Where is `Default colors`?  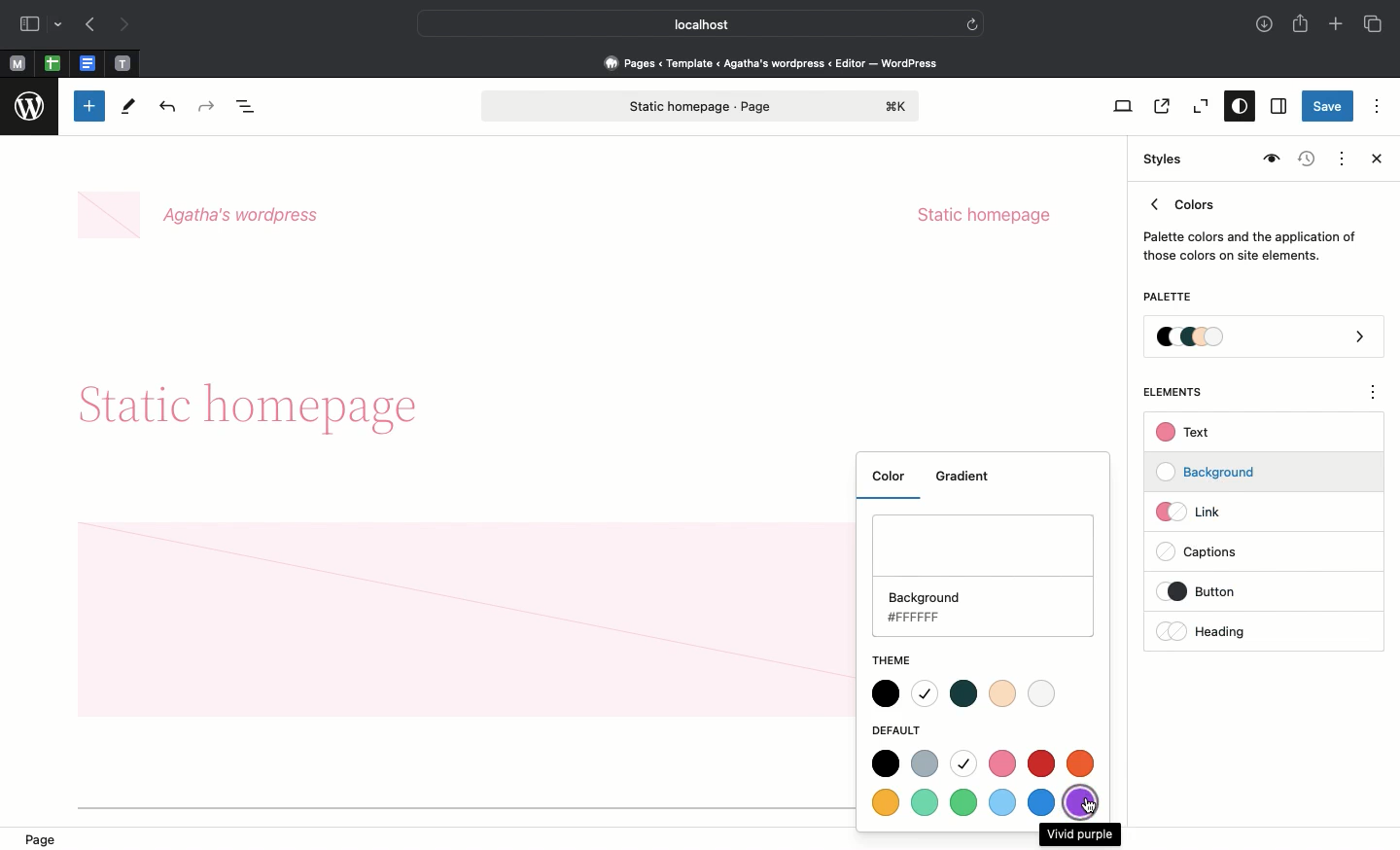 Default colors is located at coordinates (986, 786).